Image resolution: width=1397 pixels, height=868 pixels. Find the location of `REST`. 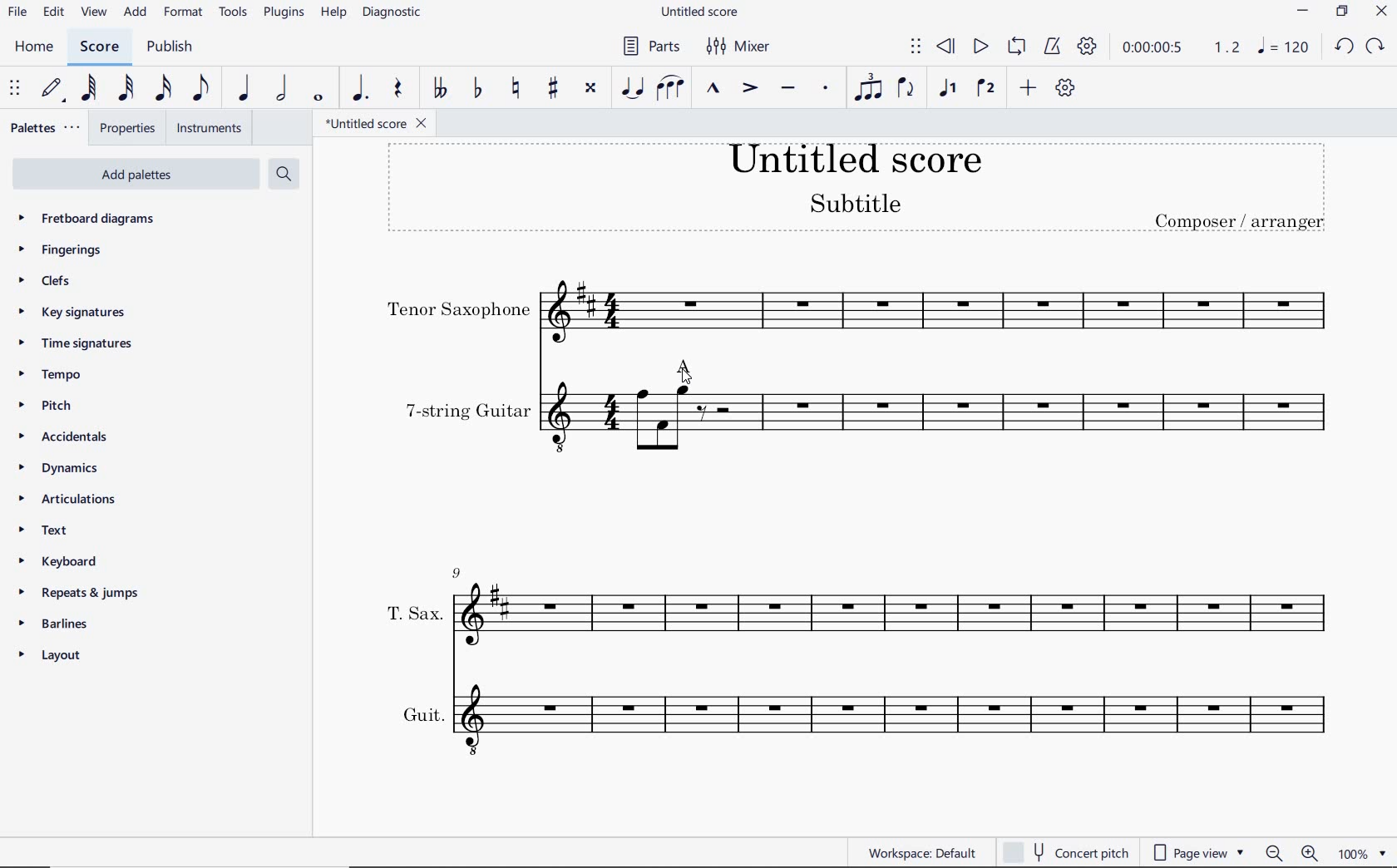

REST is located at coordinates (402, 88).